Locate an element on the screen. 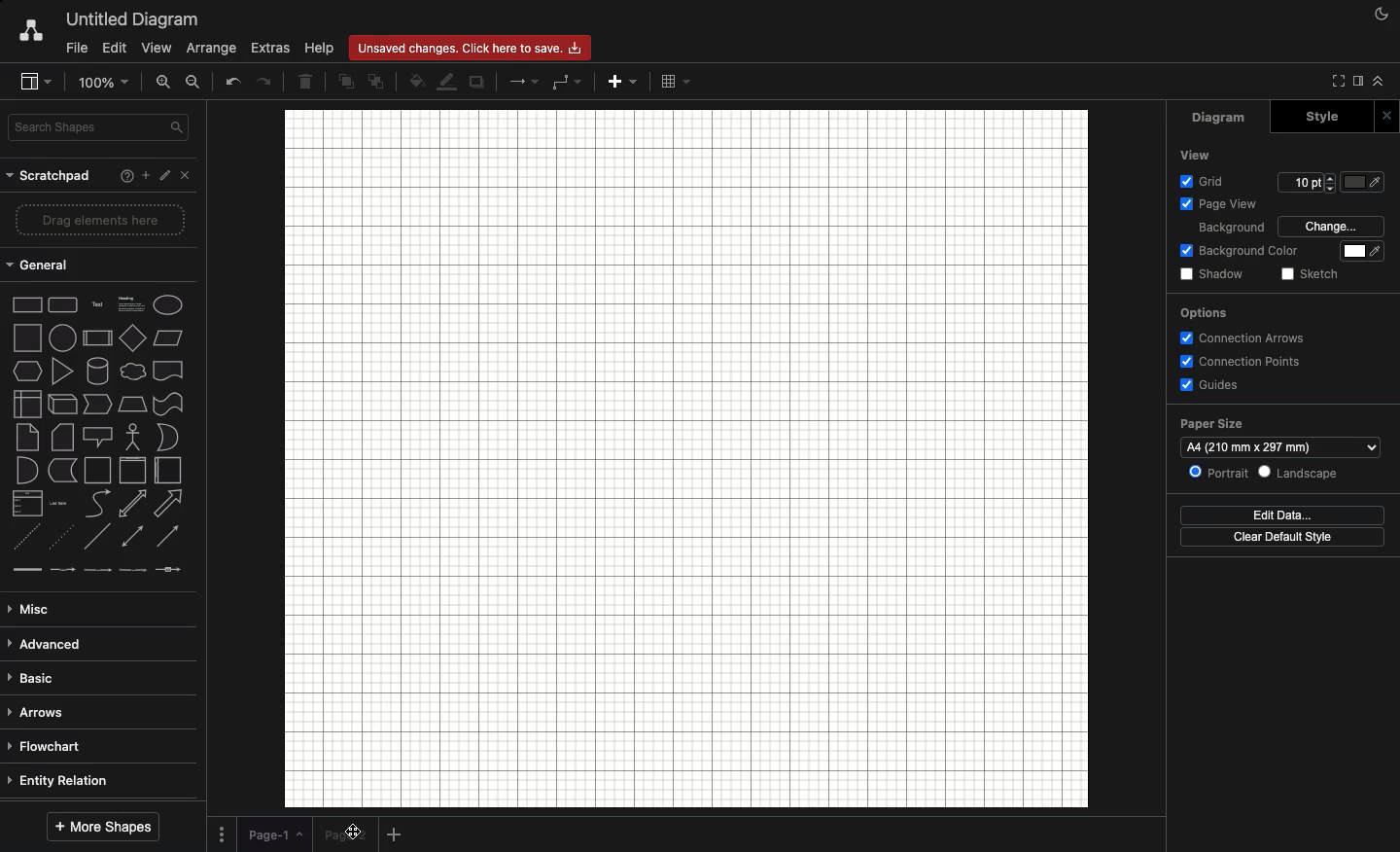 This screenshot has width=1400, height=852. Canvas is located at coordinates (685, 456).